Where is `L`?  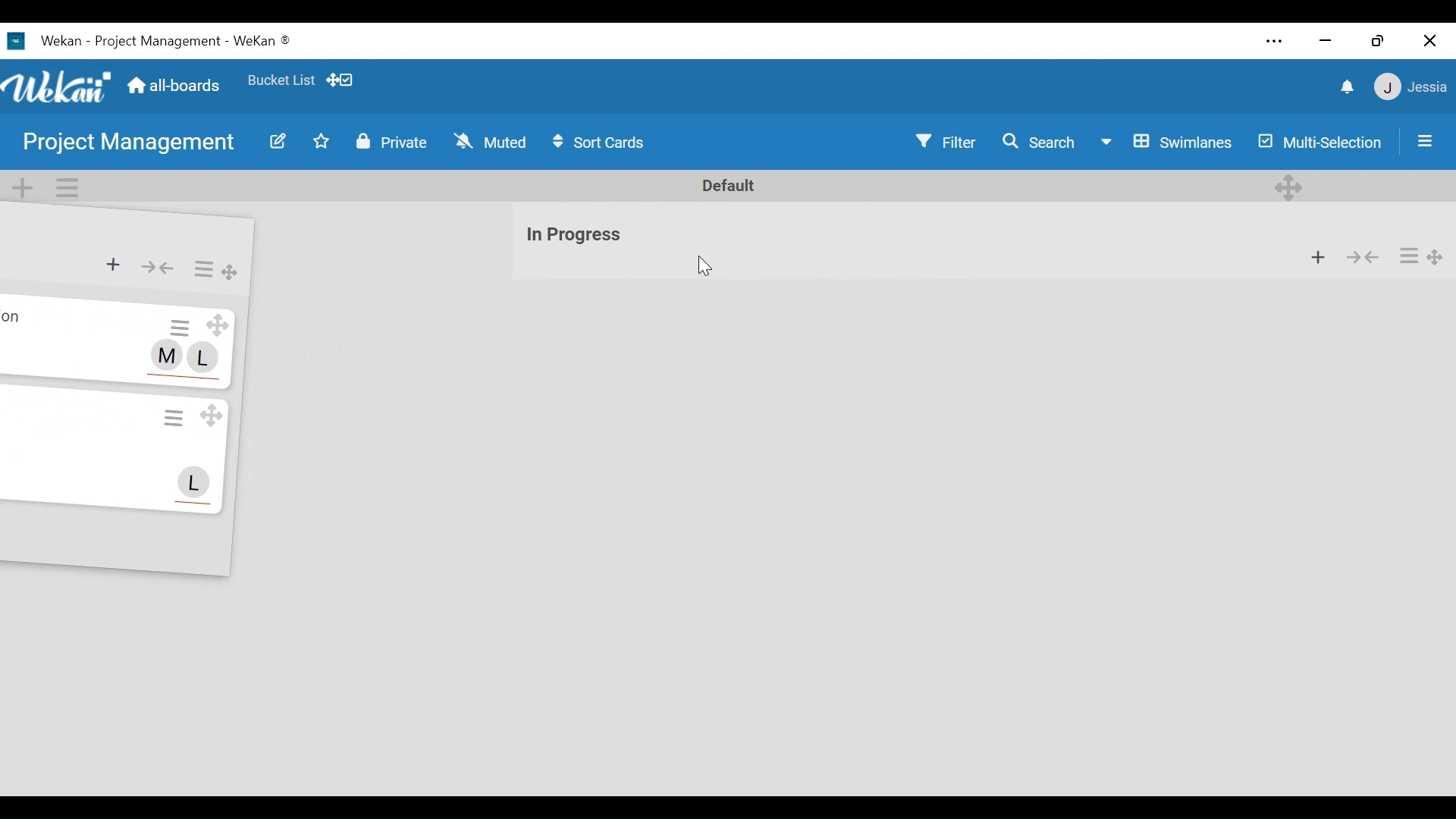 L is located at coordinates (193, 482).